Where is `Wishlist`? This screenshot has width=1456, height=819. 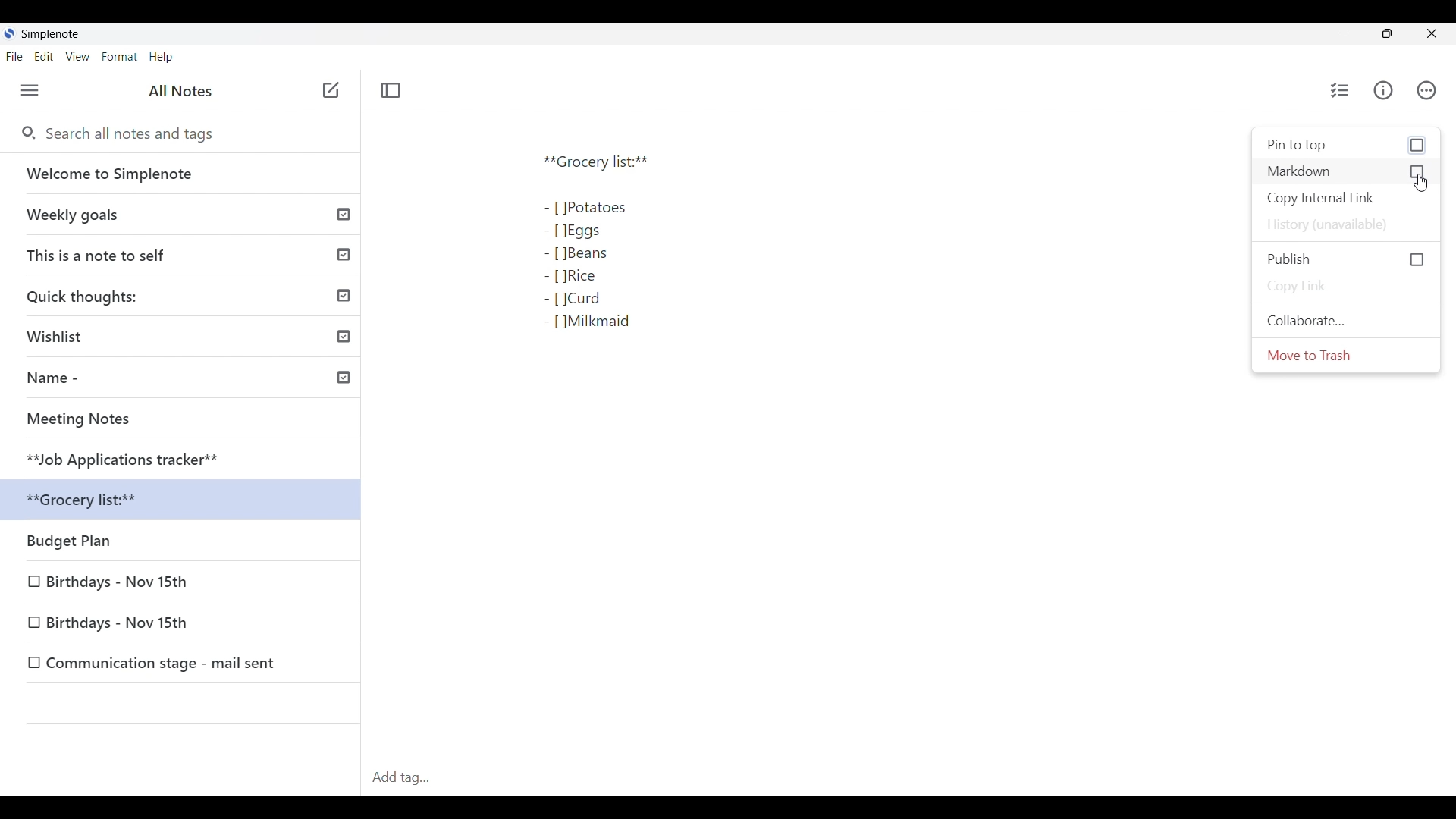 Wishlist is located at coordinates (186, 339).